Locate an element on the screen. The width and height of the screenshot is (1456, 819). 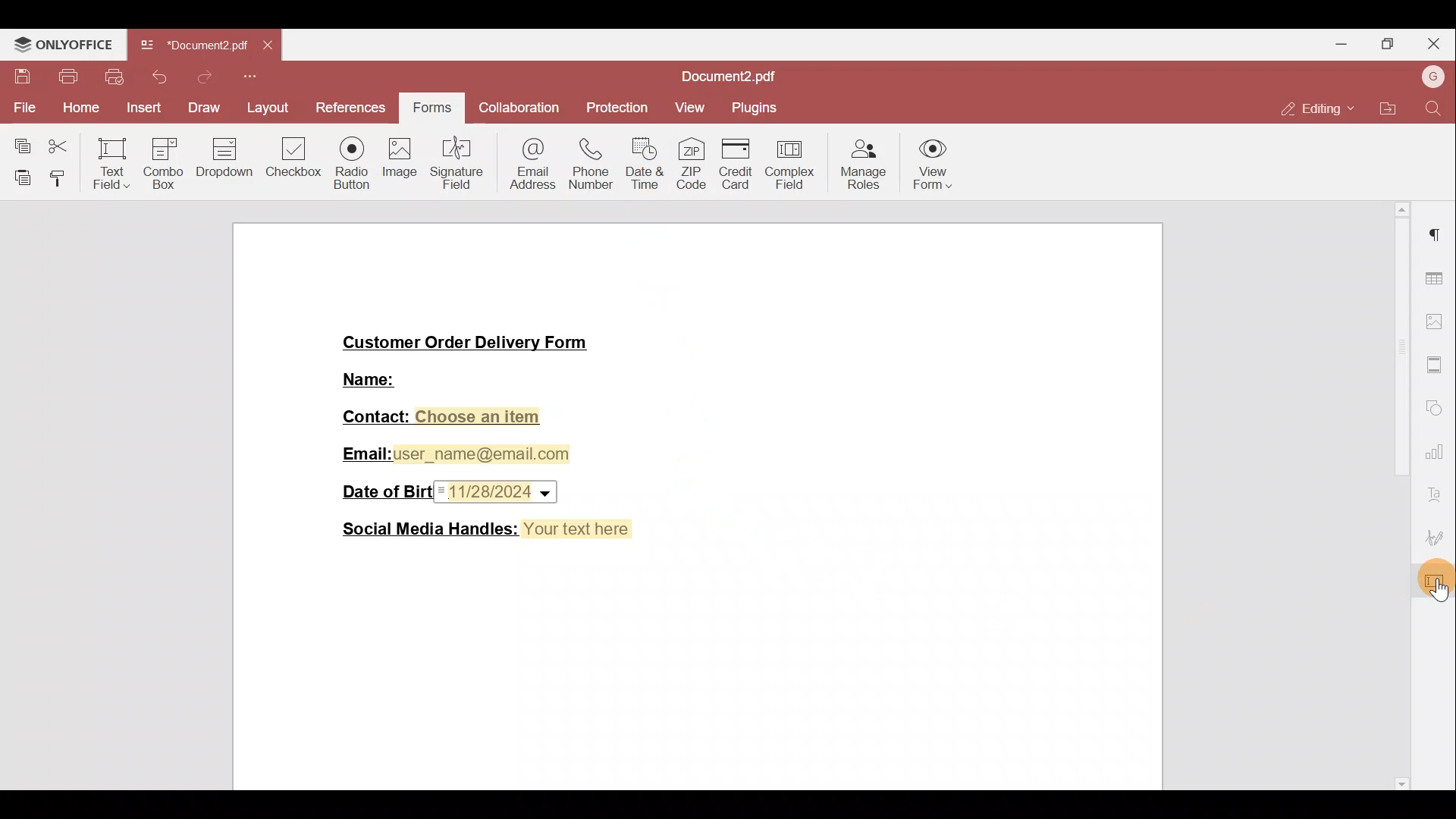
Date of Birth: is located at coordinates (384, 491).